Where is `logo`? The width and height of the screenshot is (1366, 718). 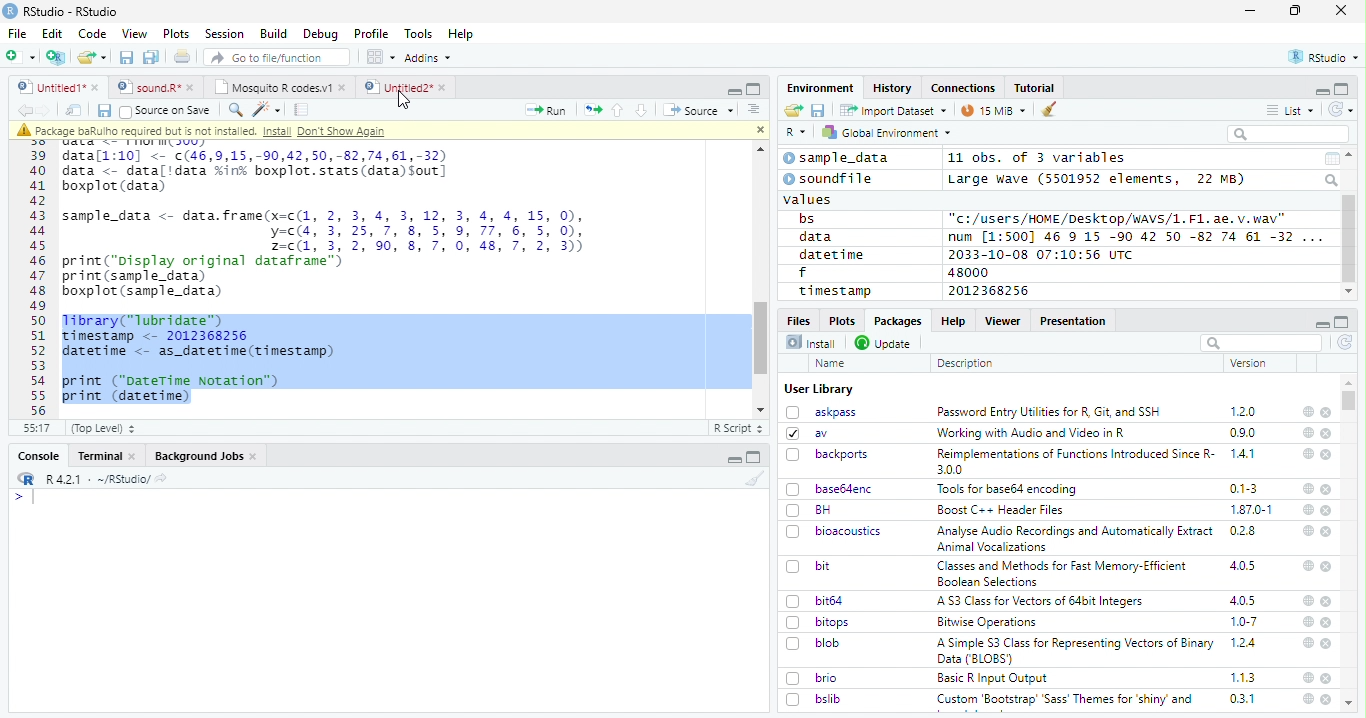 logo is located at coordinates (10, 11).